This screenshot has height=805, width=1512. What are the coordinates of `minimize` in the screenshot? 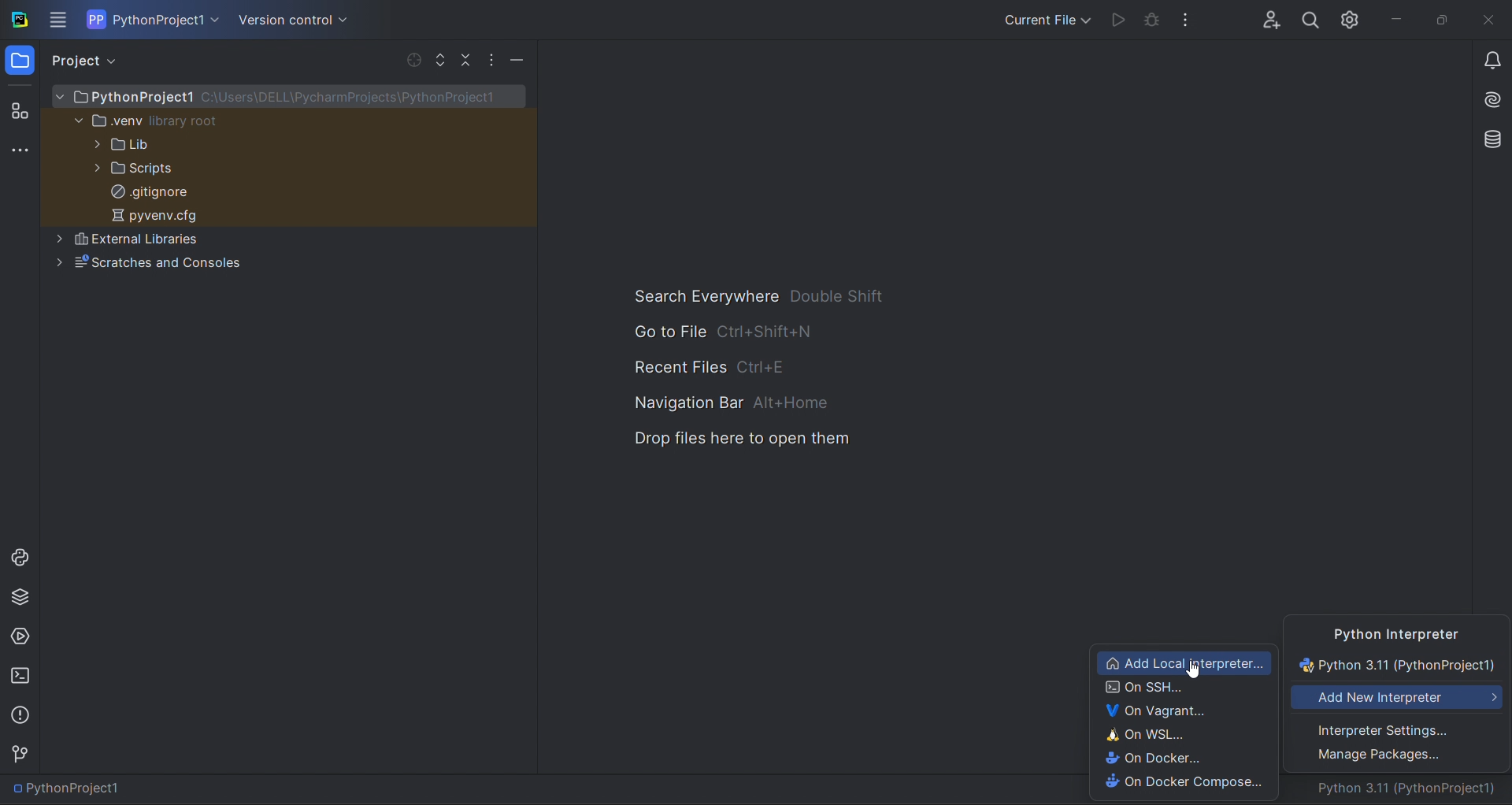 It's located at (1394, 19).